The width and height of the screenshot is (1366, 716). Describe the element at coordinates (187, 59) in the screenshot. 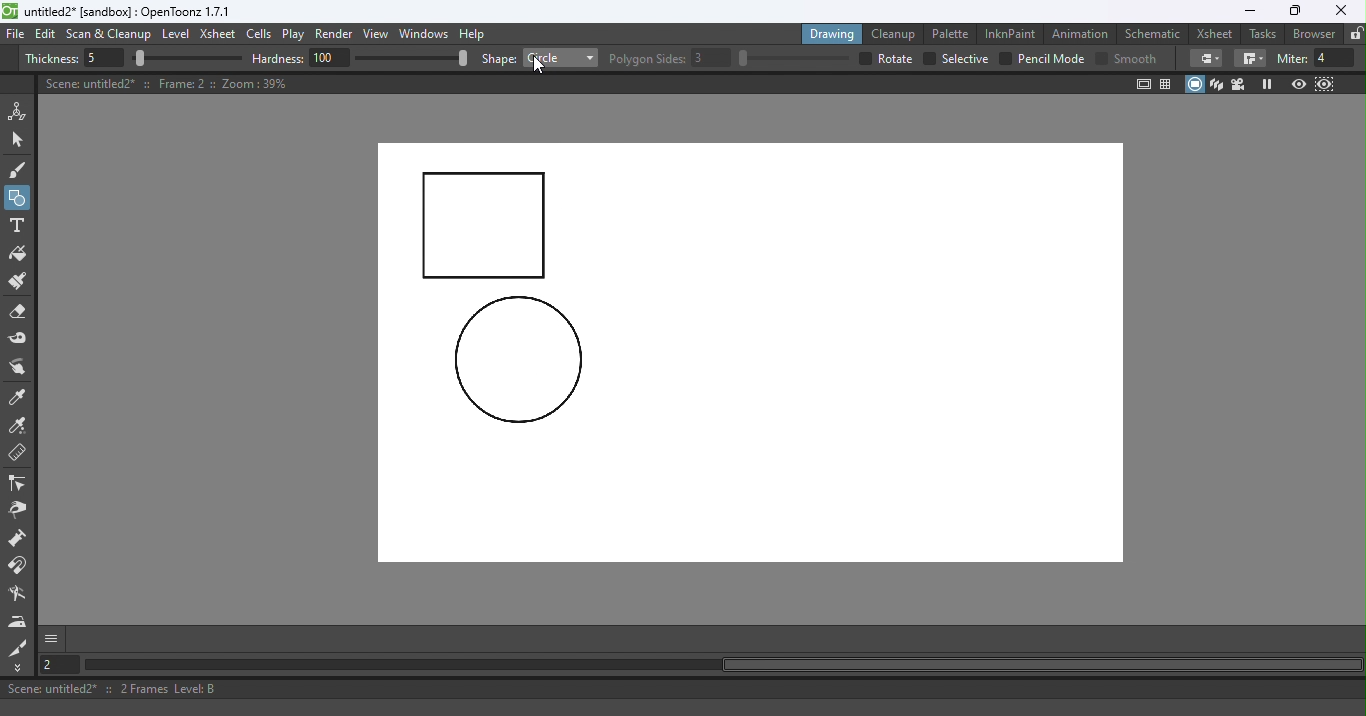

I see `slider` at that location.